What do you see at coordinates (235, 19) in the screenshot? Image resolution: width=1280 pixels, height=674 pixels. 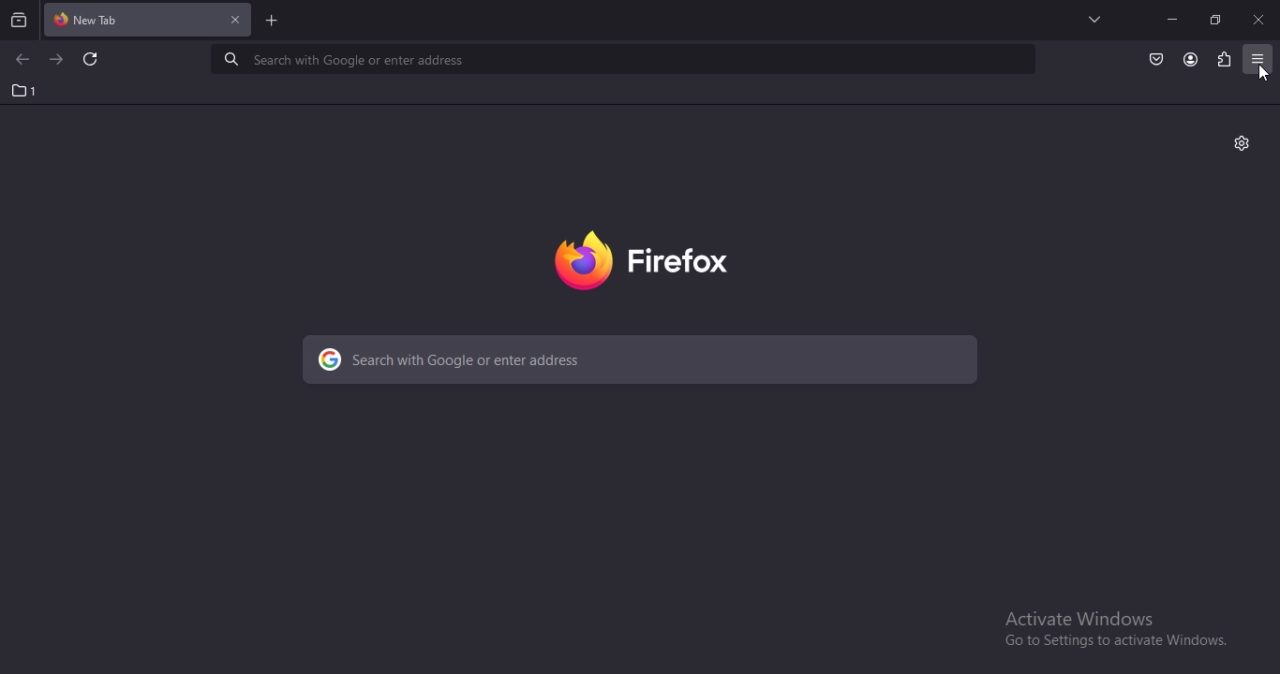 I see `close tab` at bounding box center [235, 19].